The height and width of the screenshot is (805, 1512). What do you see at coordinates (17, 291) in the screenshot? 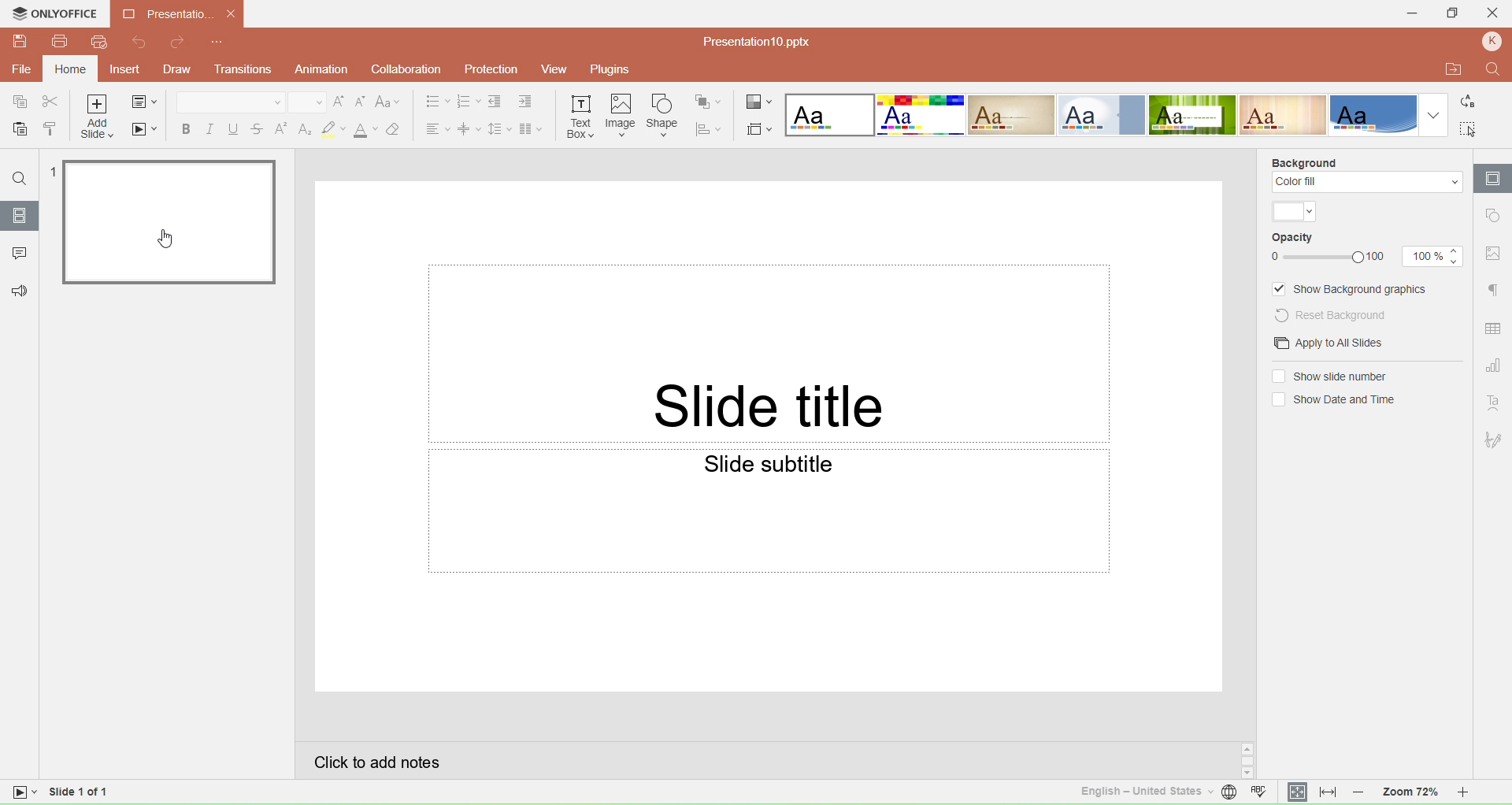
I see `Feedback & Support` at bounding box center [17, 291].